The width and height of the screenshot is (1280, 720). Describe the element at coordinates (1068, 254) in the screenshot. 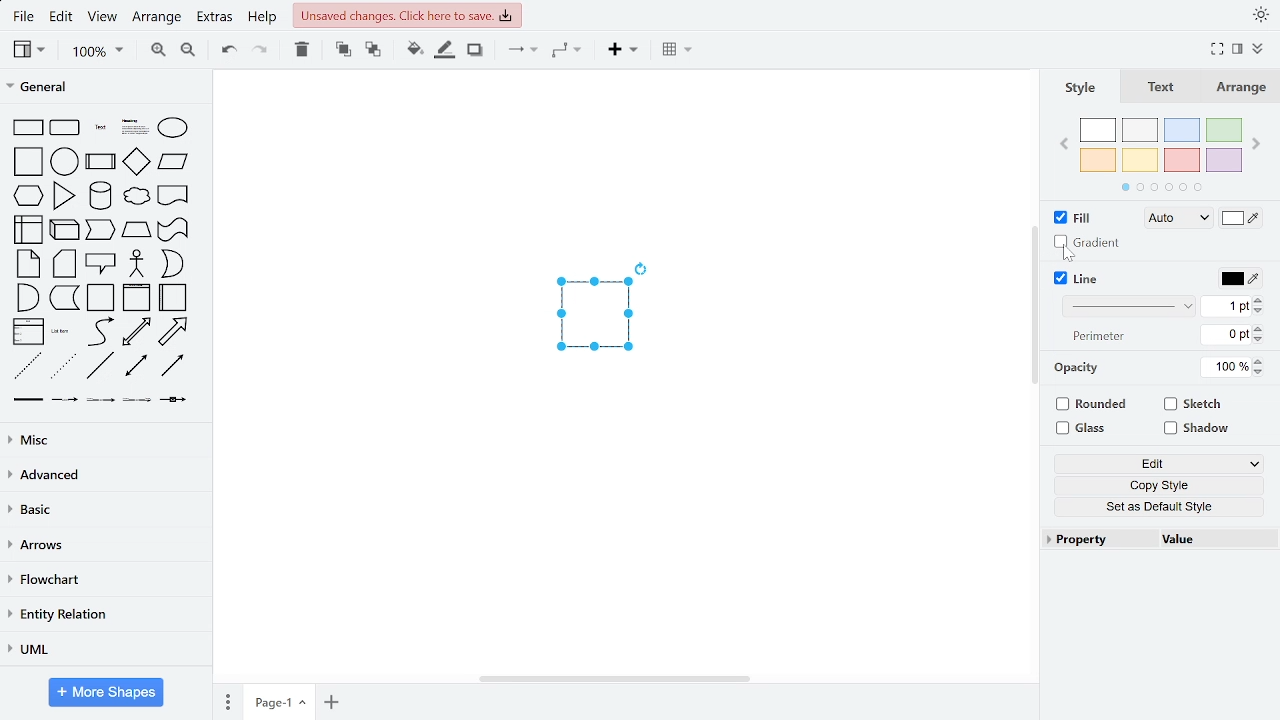

I see `cursor` at that location.